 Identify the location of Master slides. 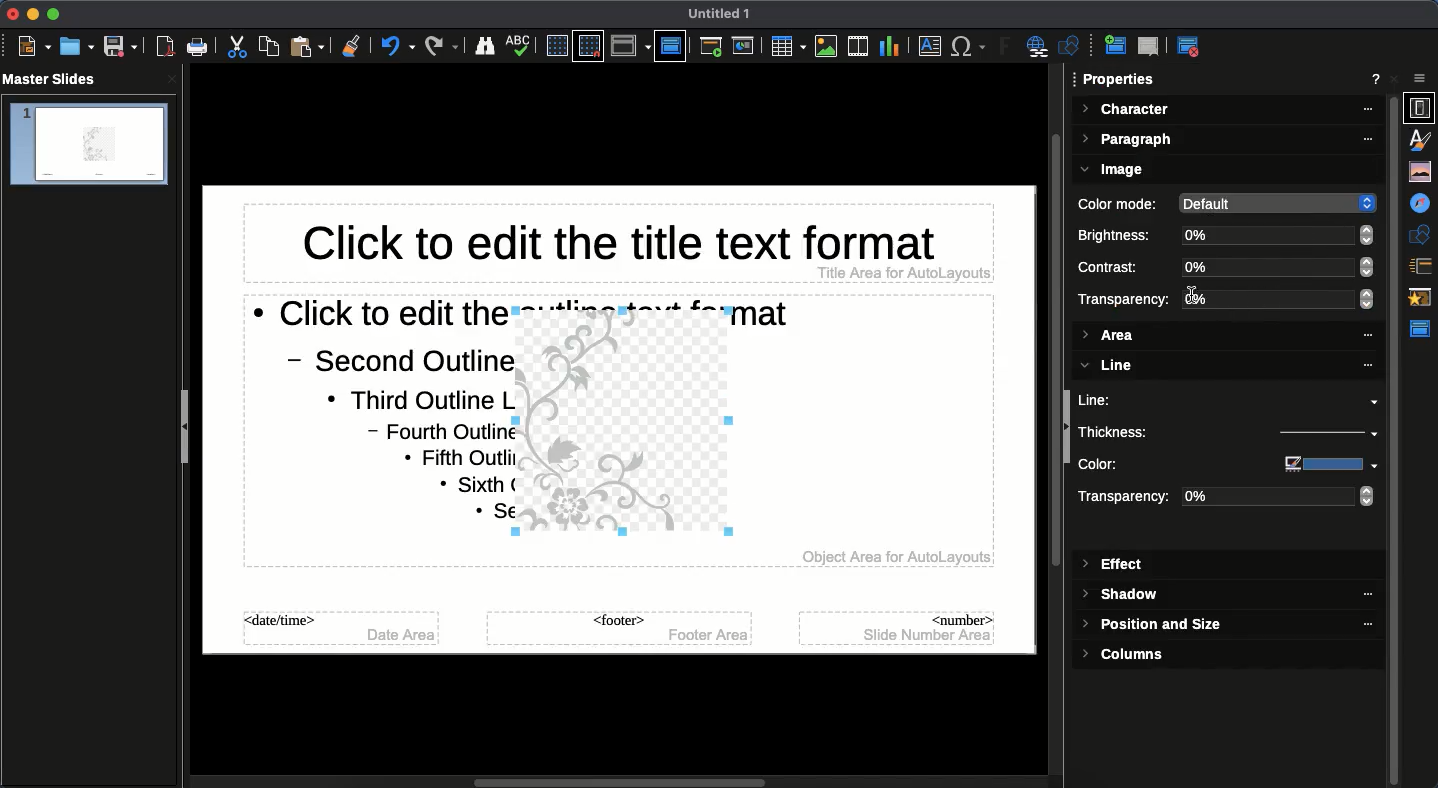
(56, 80).